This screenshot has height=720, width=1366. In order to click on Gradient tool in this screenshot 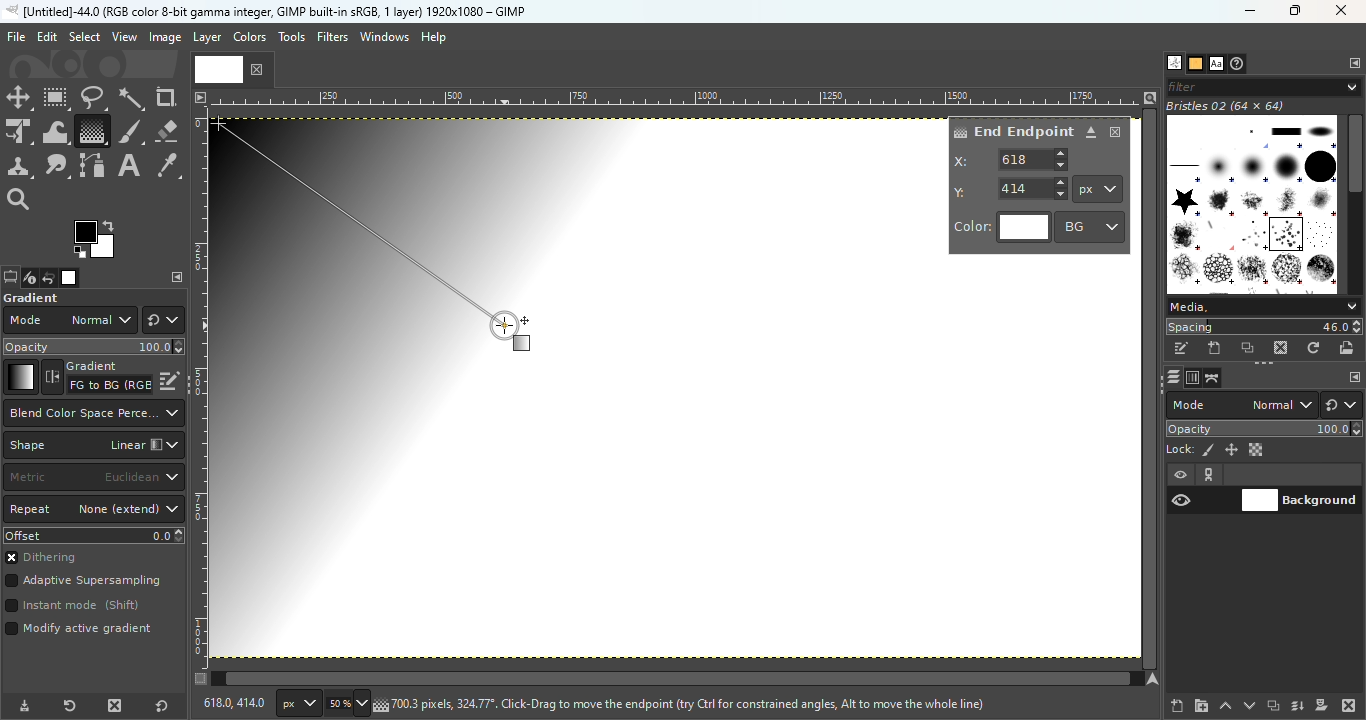, I will do `click(91, 131)`.